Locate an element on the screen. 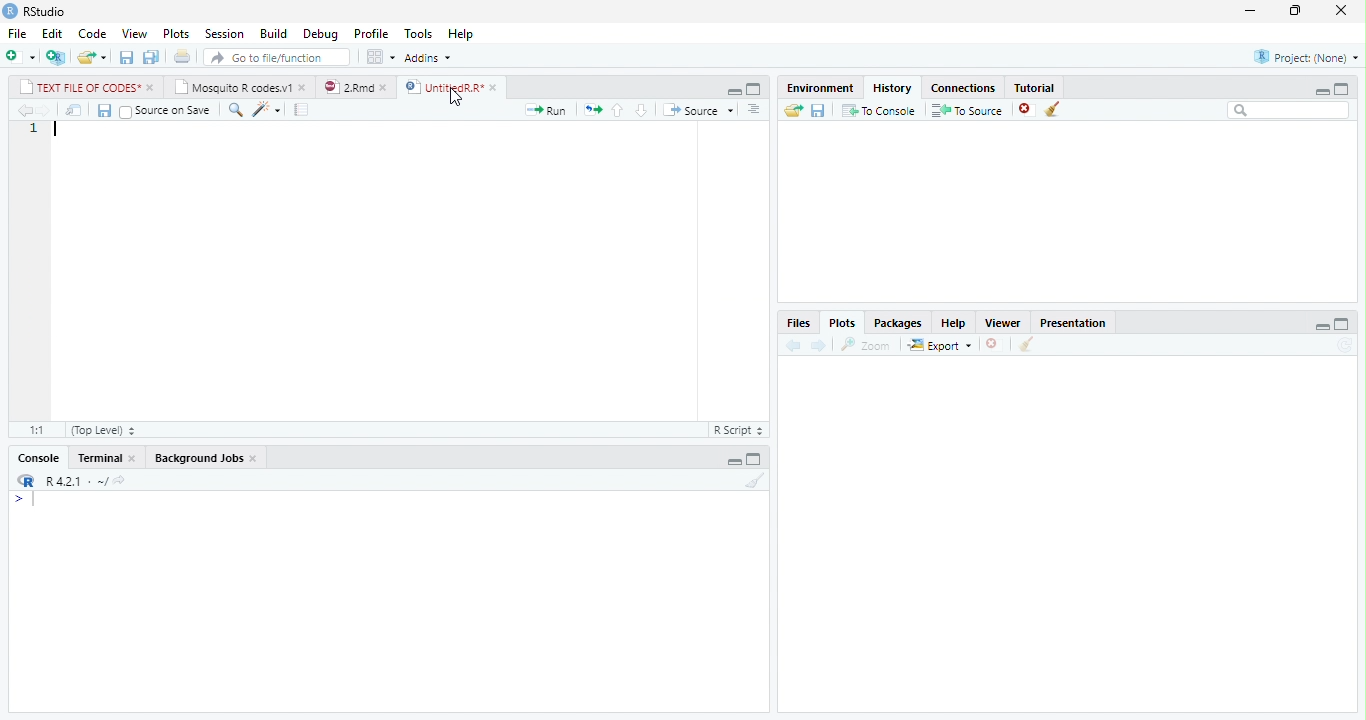  search file is located at coordinates (278, 57).